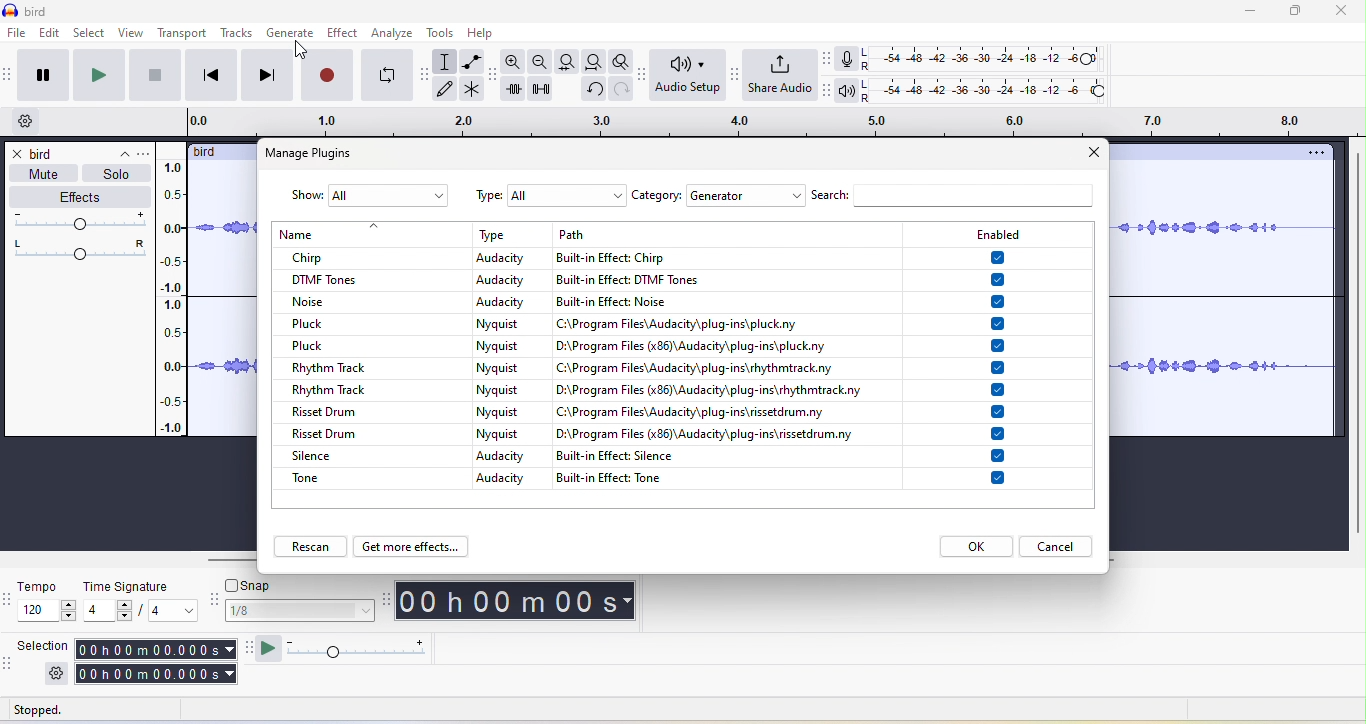 This screenshot has height=724, width=1366. Describe the element at coordinates (363, 231) in the screenshot. I see `name` at that location.